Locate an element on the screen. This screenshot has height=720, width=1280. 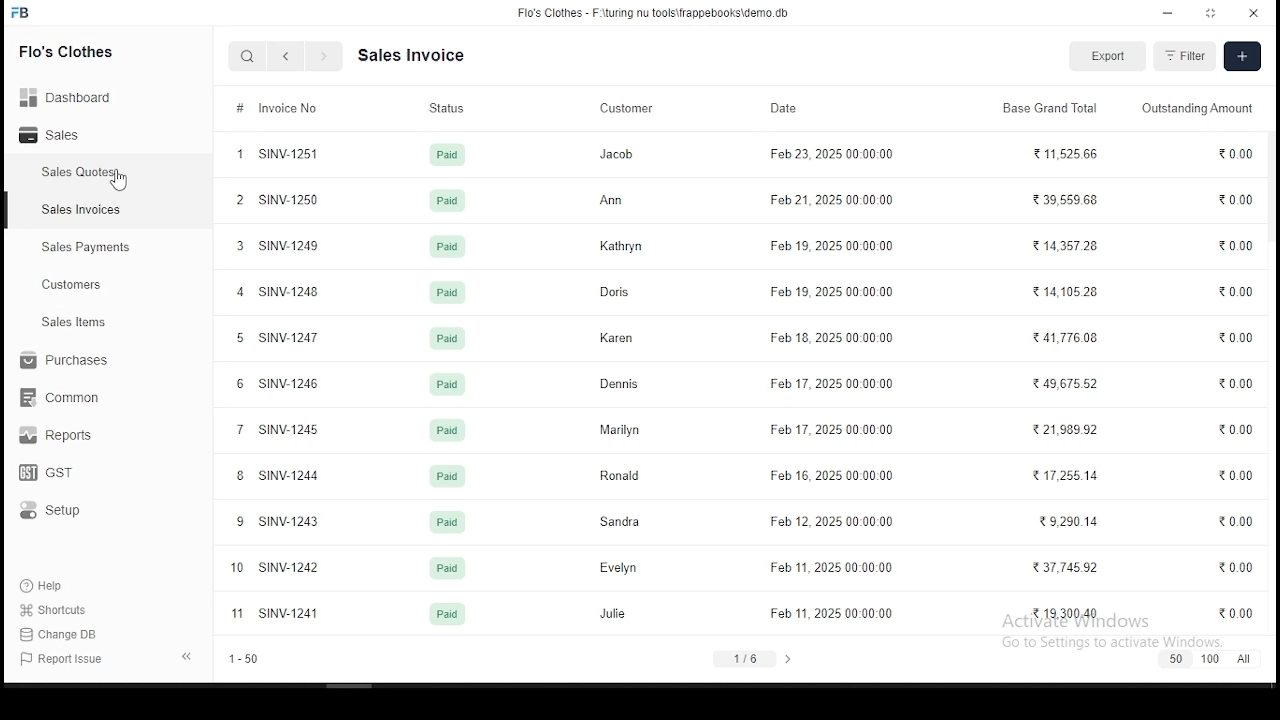
4967552 is located at coordinates (1067, 383).